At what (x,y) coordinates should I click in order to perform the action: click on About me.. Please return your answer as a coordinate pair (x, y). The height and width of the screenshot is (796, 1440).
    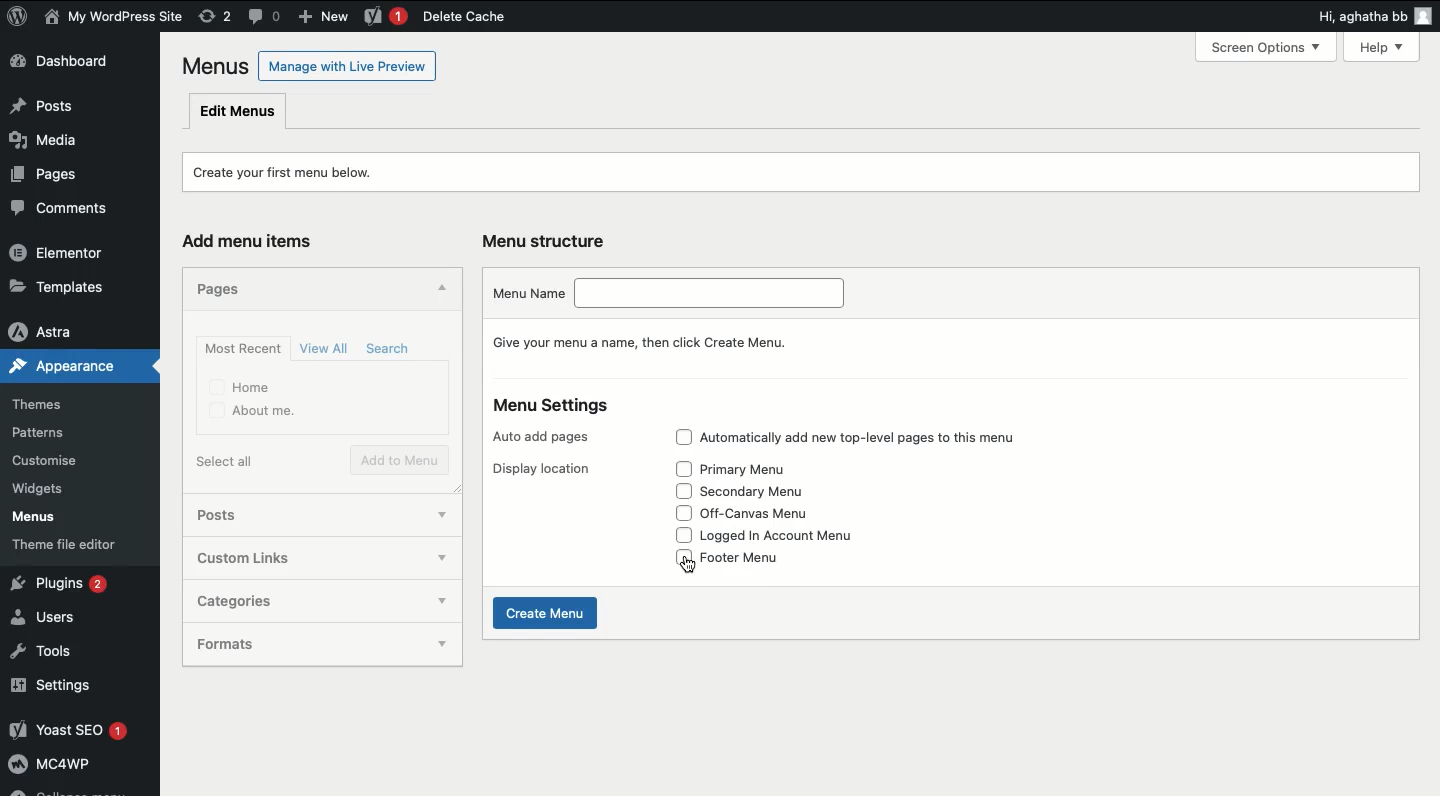
    Looking at the image, I should click on (251, 412).